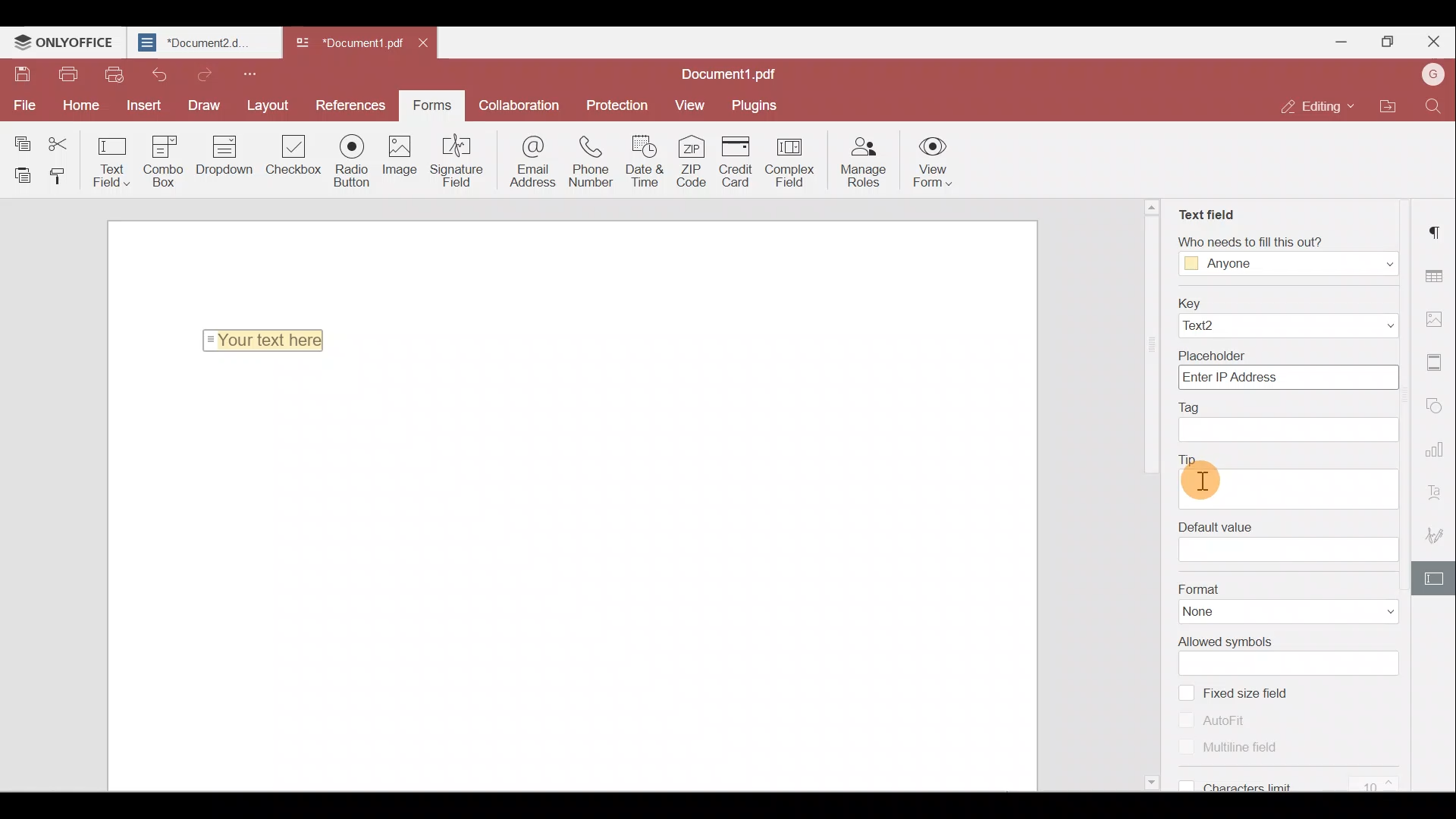 Image resolution: width=1456 pixels, height=819 pixels. Describe the element at coordinates (267, 340) in the screenshot. I see `Your text here` at that location.